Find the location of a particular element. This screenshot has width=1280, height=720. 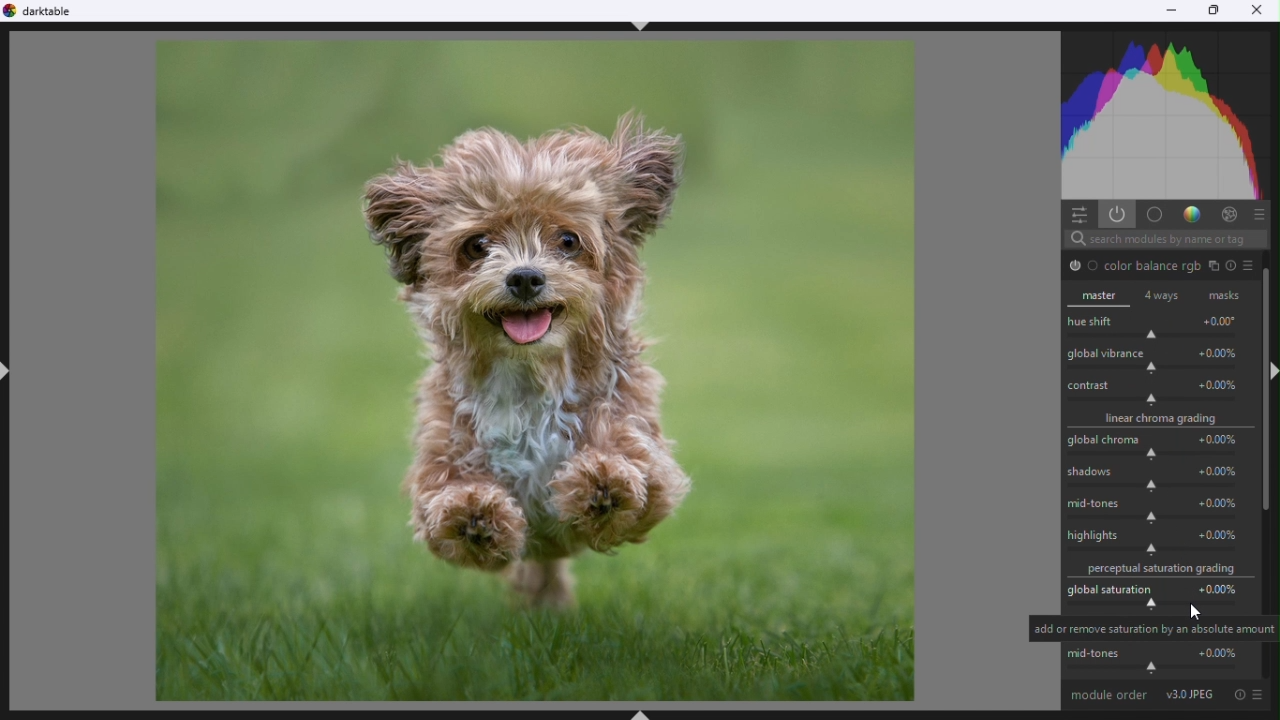

Histogram is located at coordinates (1167, 114).